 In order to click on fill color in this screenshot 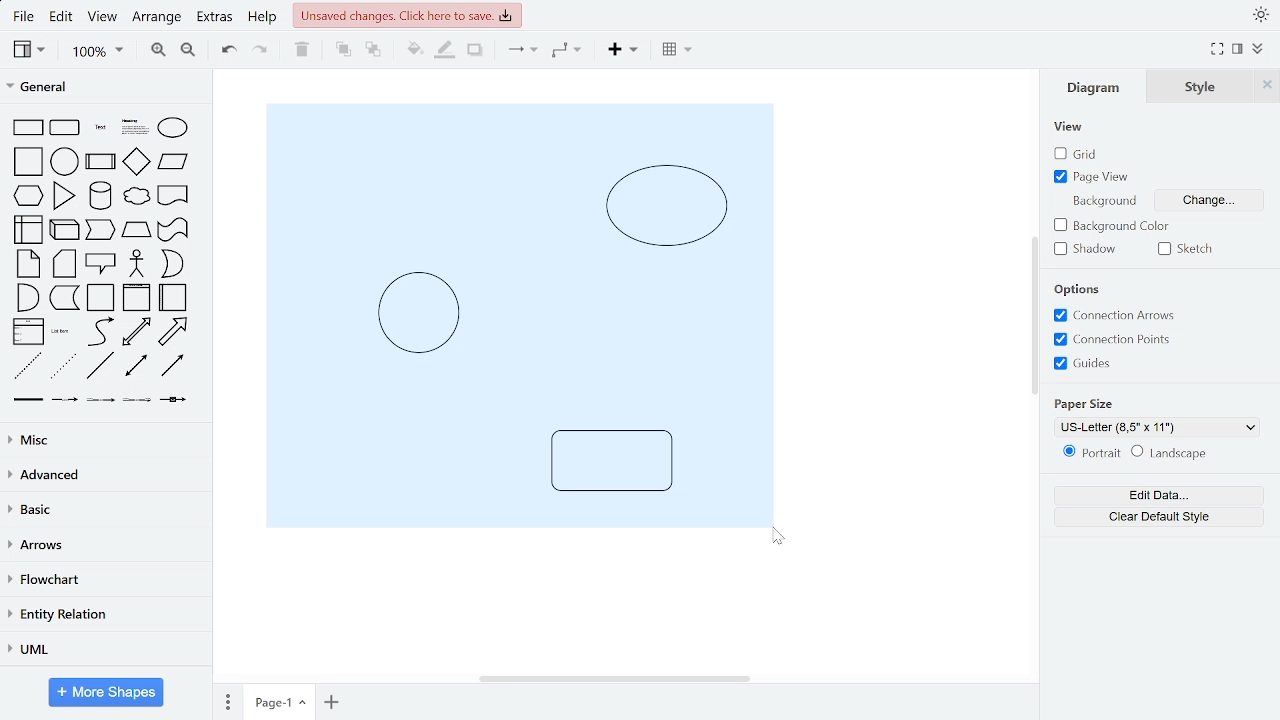, I will do `click(409, 50)`.